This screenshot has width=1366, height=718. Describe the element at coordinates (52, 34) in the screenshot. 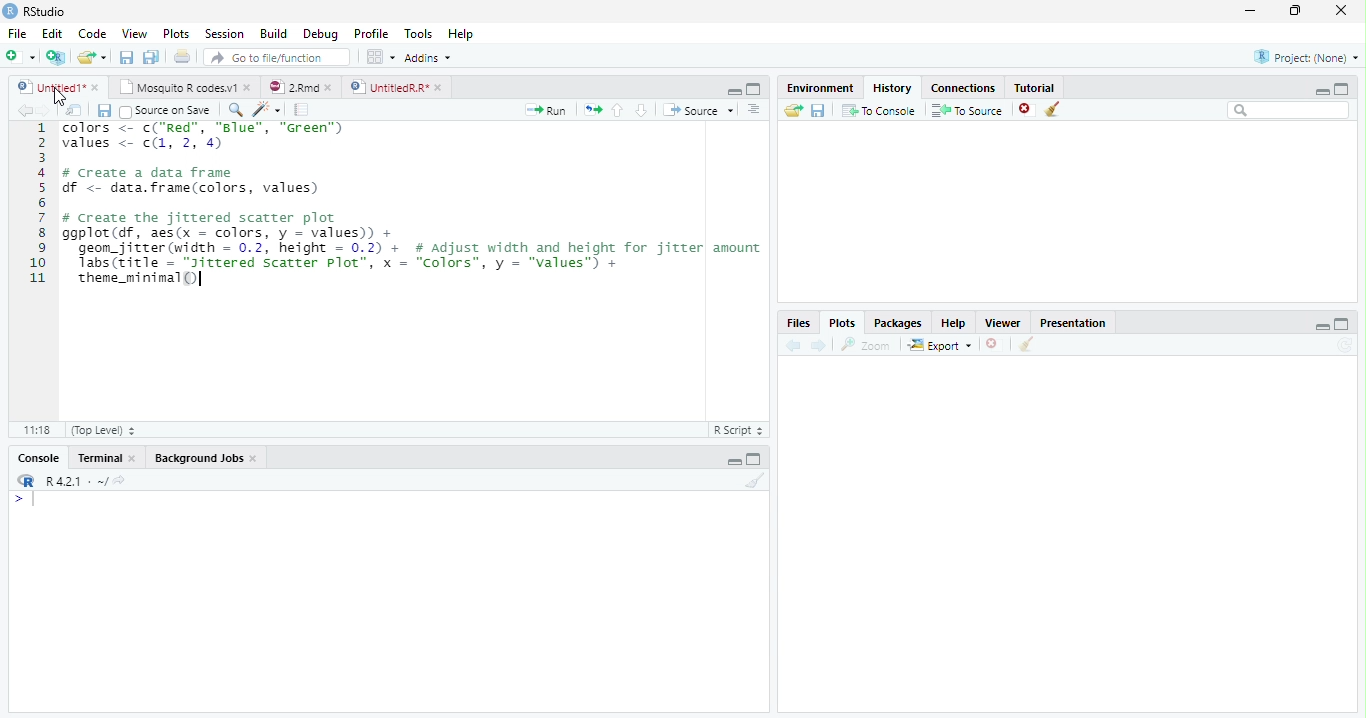

I see `Edit` at that location.